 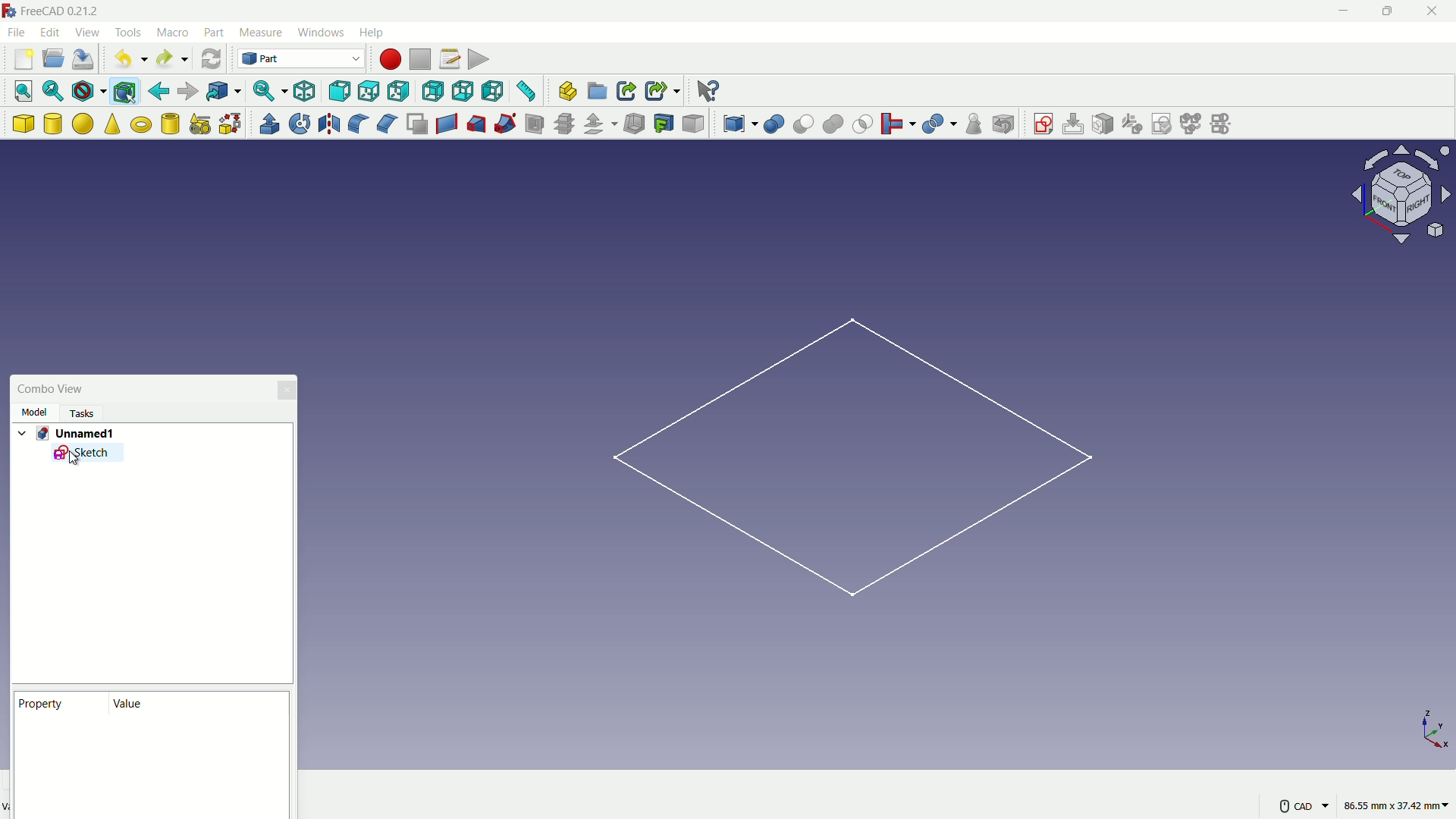 What do you see at coordinates (636, 124) in the screenshot?
I see `thickness` at bounding box center [636, 124].